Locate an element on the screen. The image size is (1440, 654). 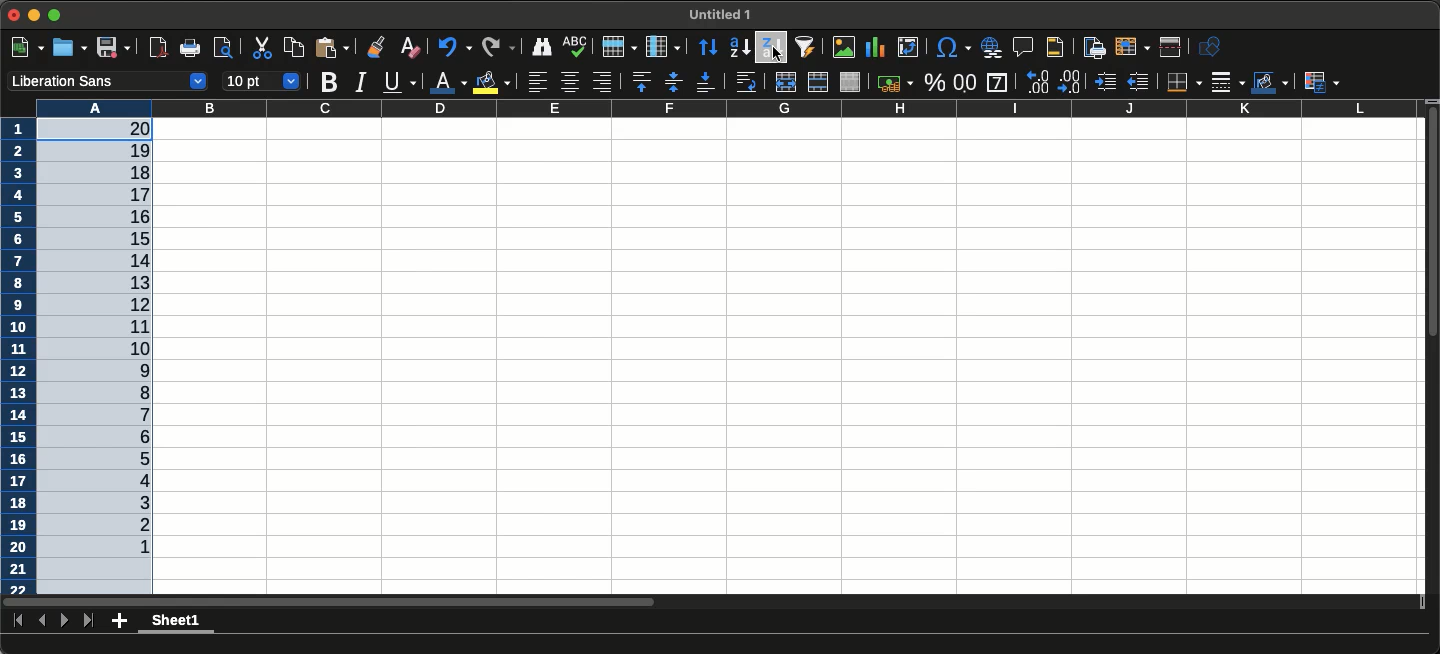
5 is located at coordinates (135, 218).